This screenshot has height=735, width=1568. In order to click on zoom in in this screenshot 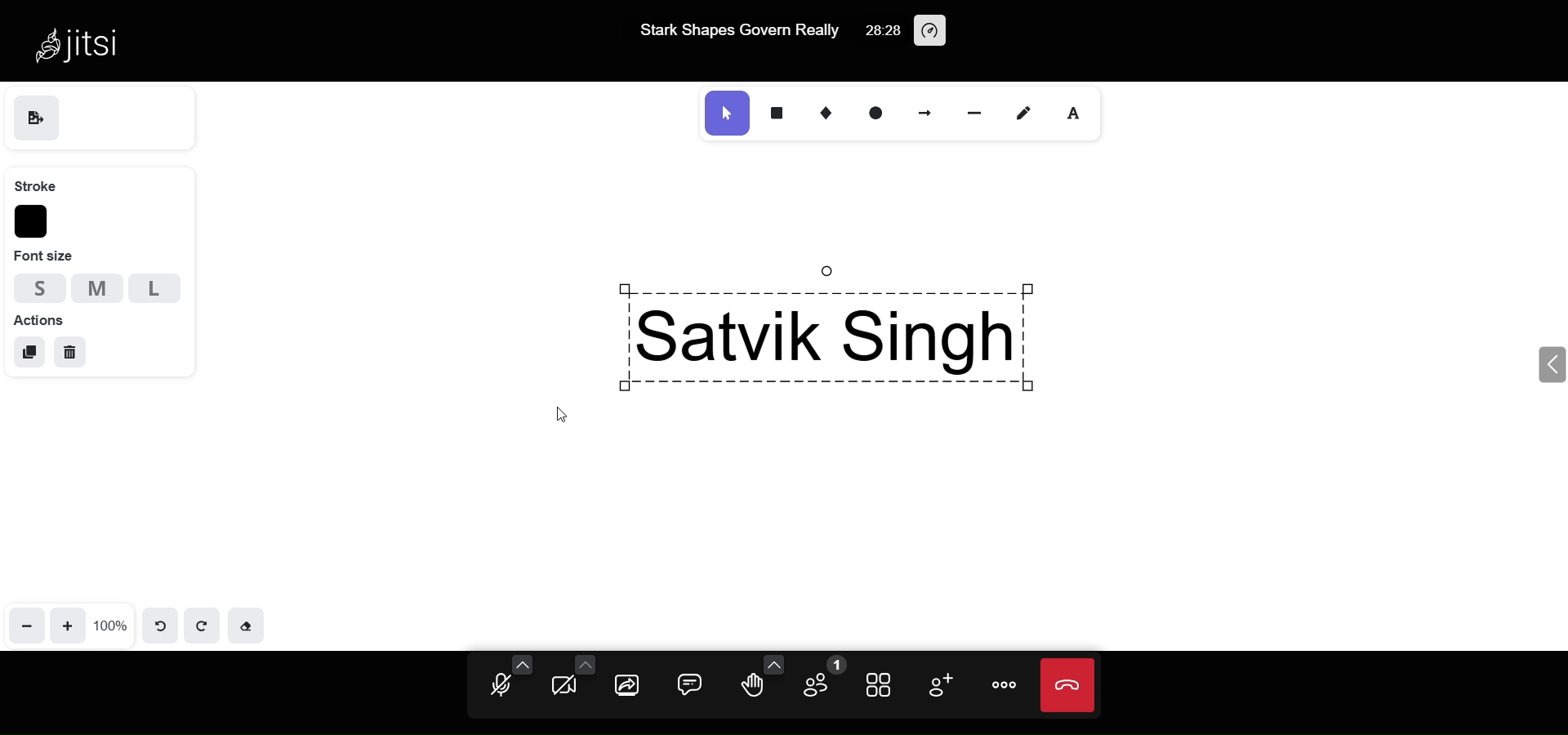, I will do `click(69, 624)`.